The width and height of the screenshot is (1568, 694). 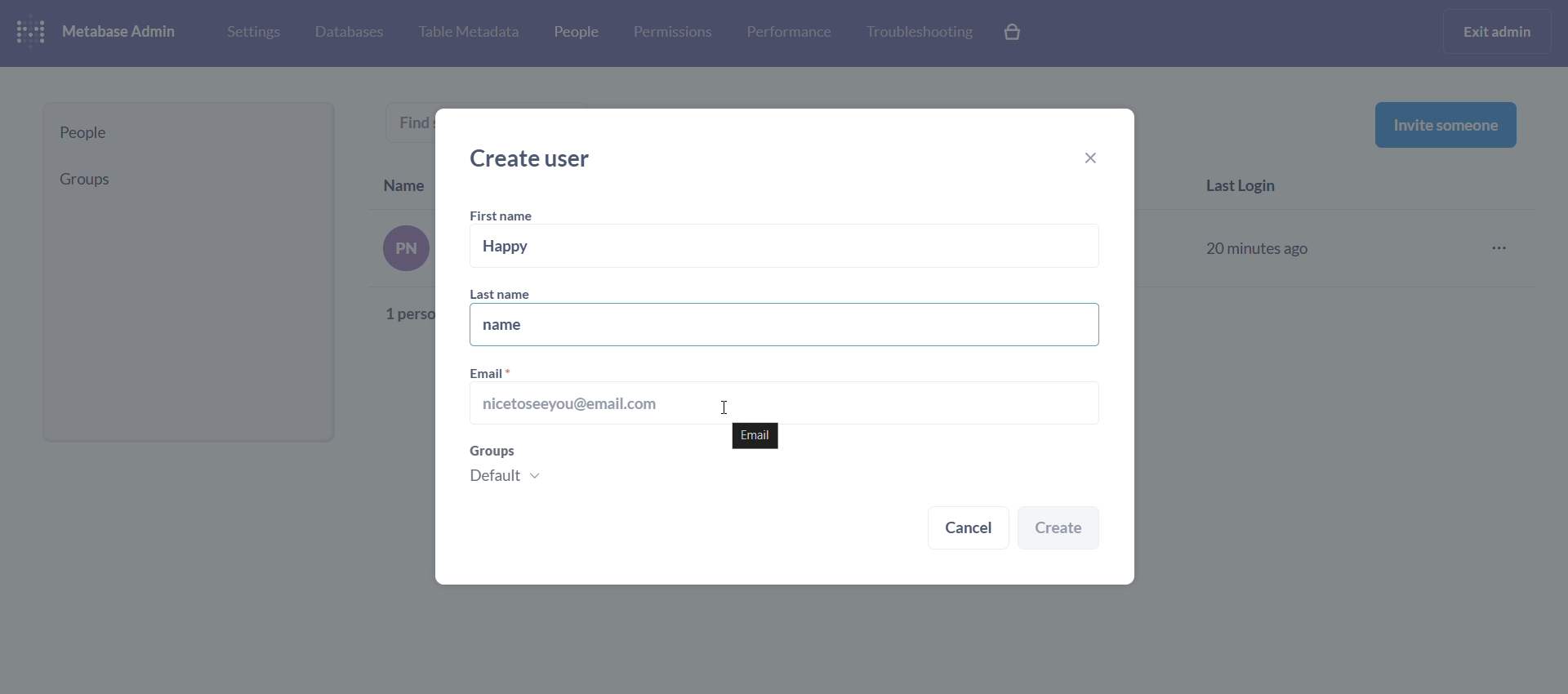 What do you see at coordinates (918, 33) in the screenshot?
I see `troubleshooting` at bounding box center [918, 33].